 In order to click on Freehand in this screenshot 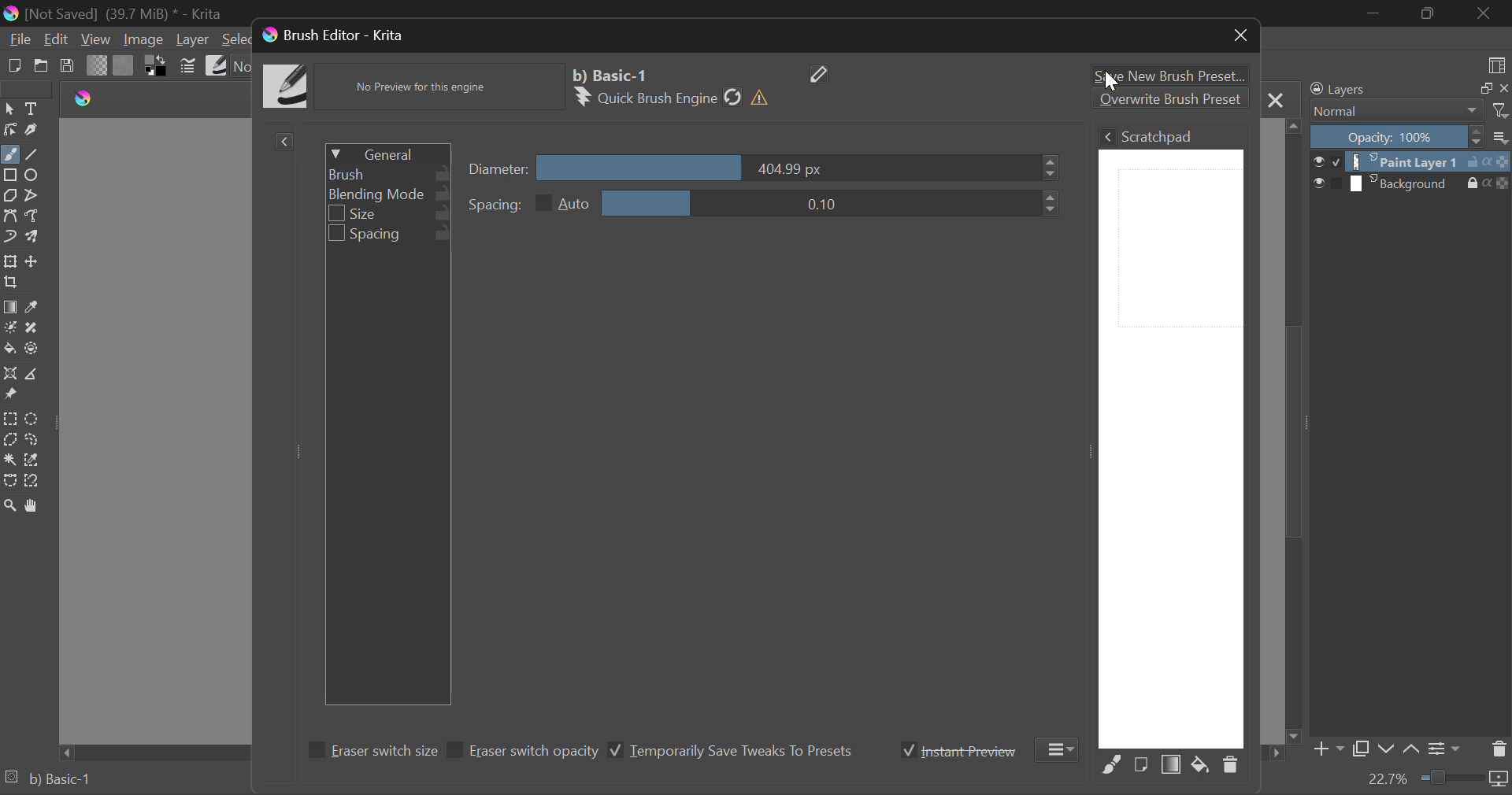, I will do `click(10, 154)`.